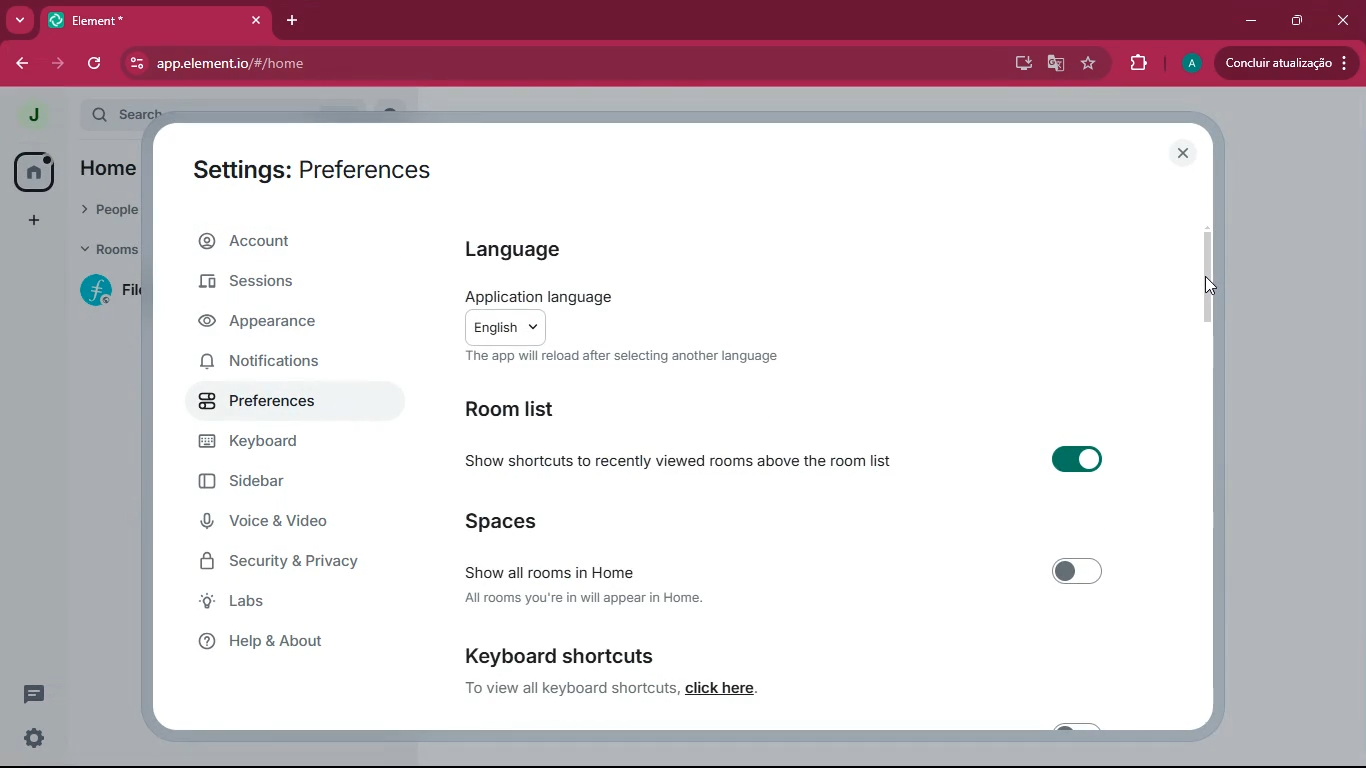  Describe the element at coordinates (1283, 63) in the screenshot. I see `update` at that location.